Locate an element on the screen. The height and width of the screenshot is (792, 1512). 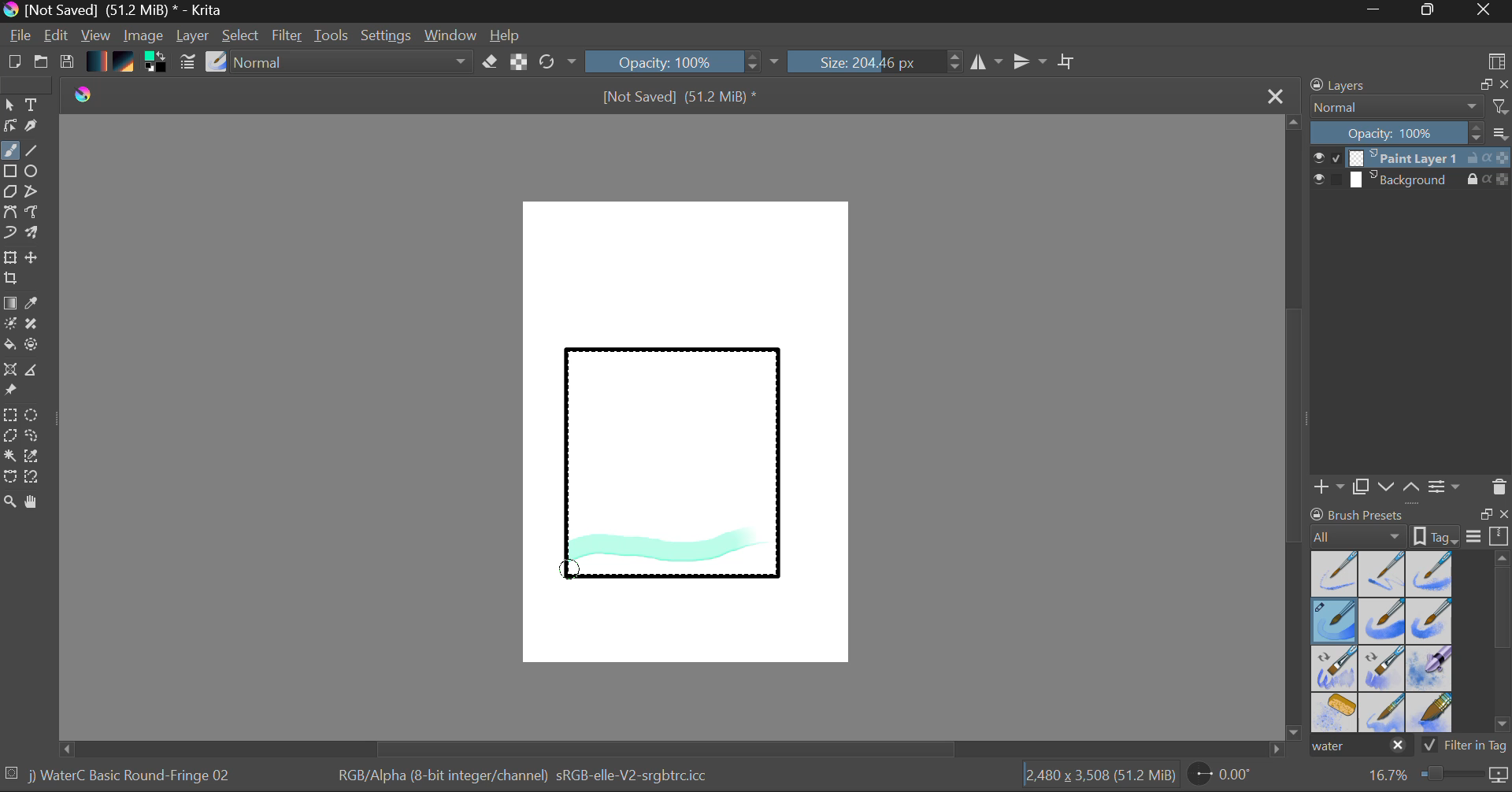
Water C - Grunge is located at coordinates (1430, 621).